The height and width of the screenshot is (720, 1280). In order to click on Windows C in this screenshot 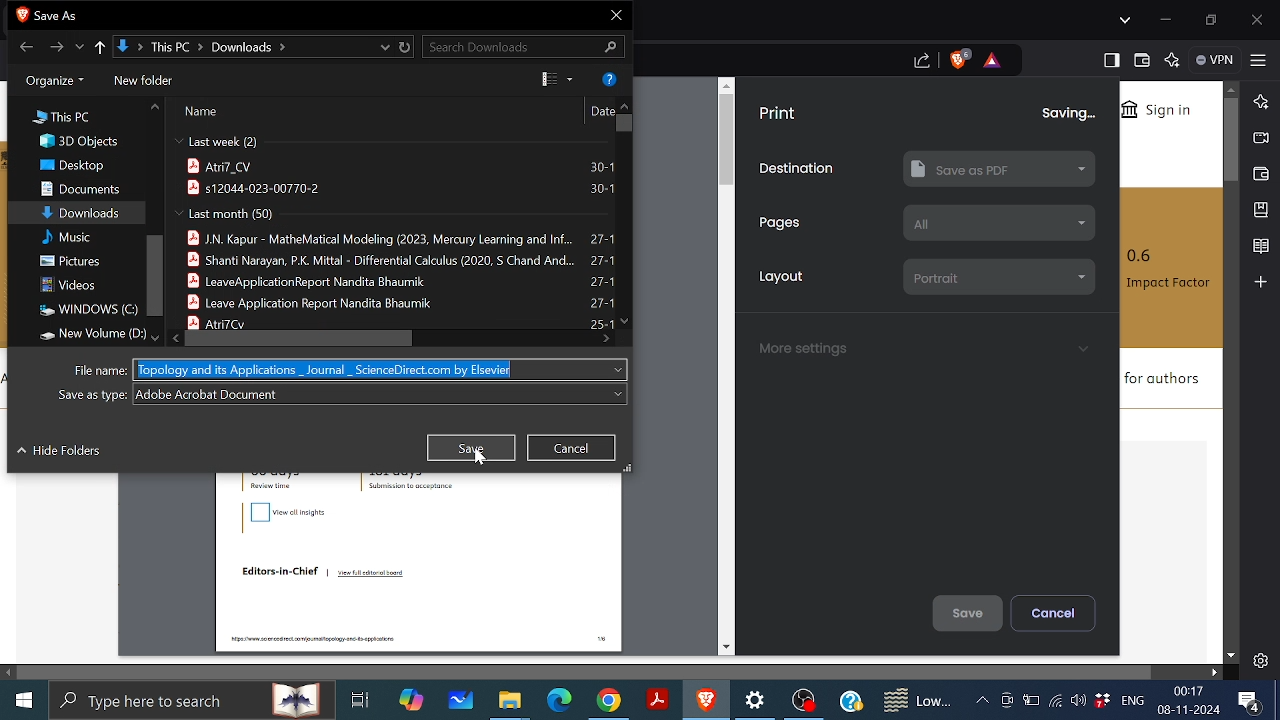, I will do `click(84, 311)`.